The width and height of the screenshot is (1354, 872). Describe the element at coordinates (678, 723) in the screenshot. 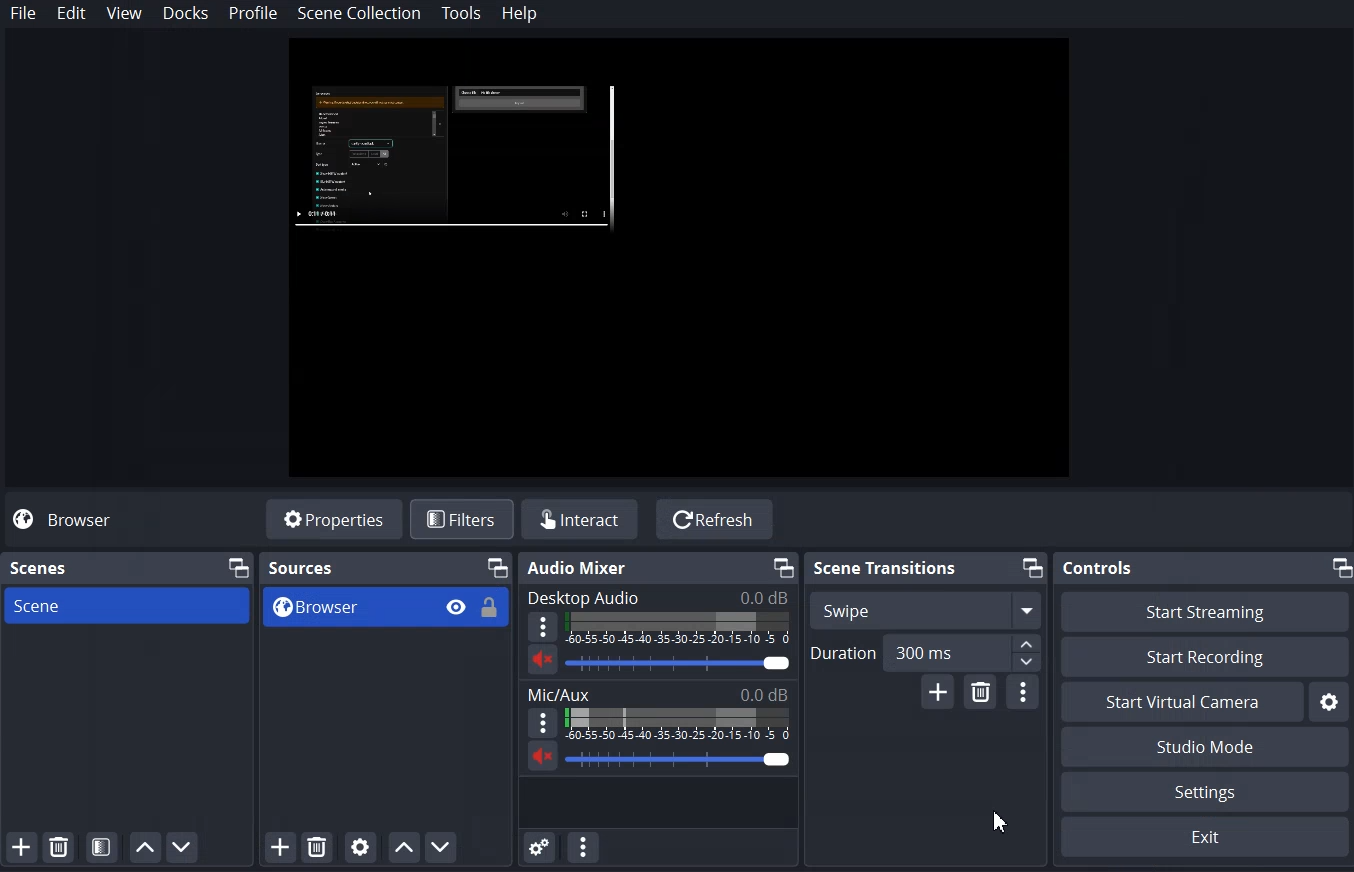

I see `Volume Indicator` at that location.